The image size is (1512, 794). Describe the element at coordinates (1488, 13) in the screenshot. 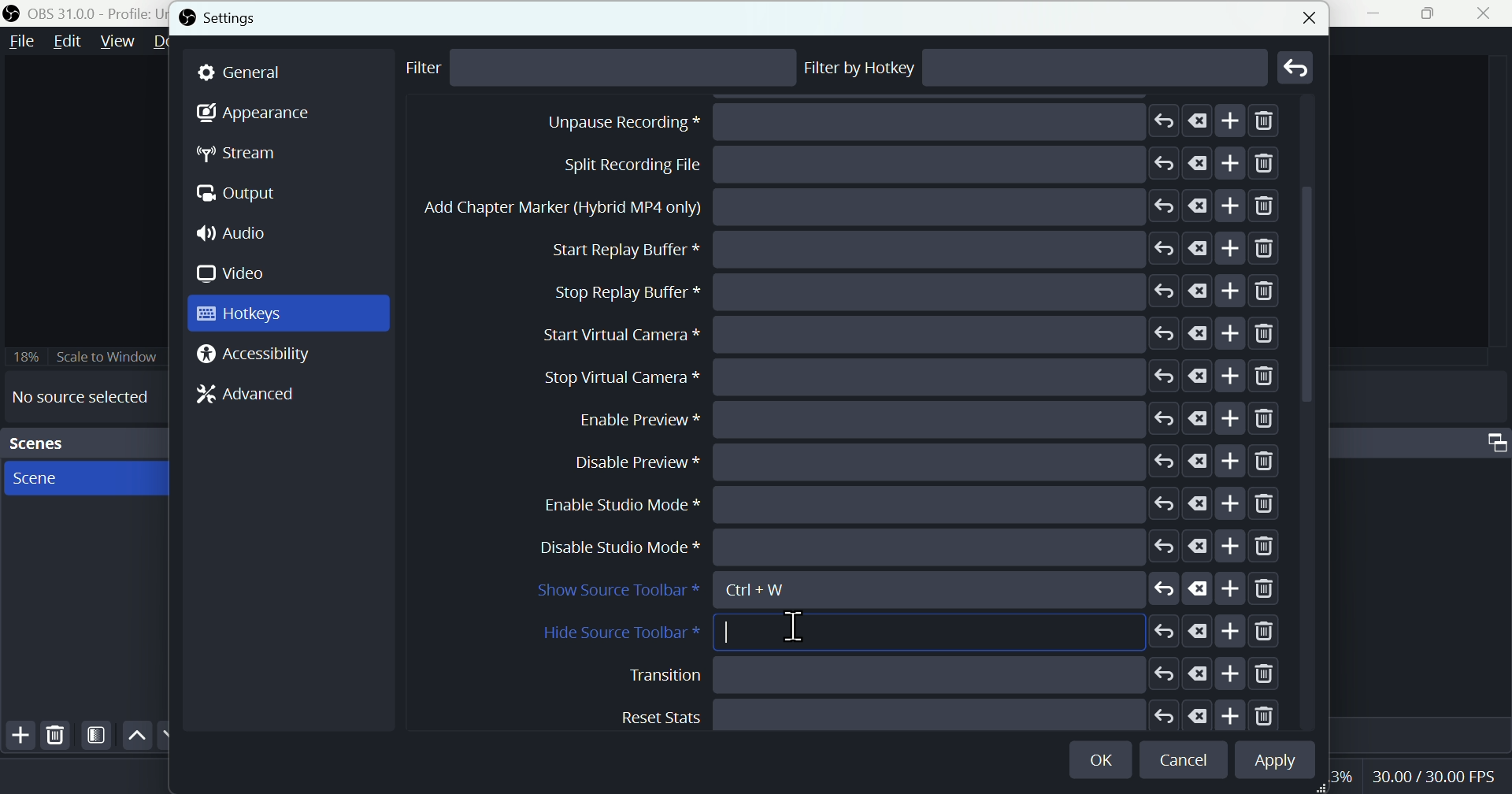

I see `close` at that location.